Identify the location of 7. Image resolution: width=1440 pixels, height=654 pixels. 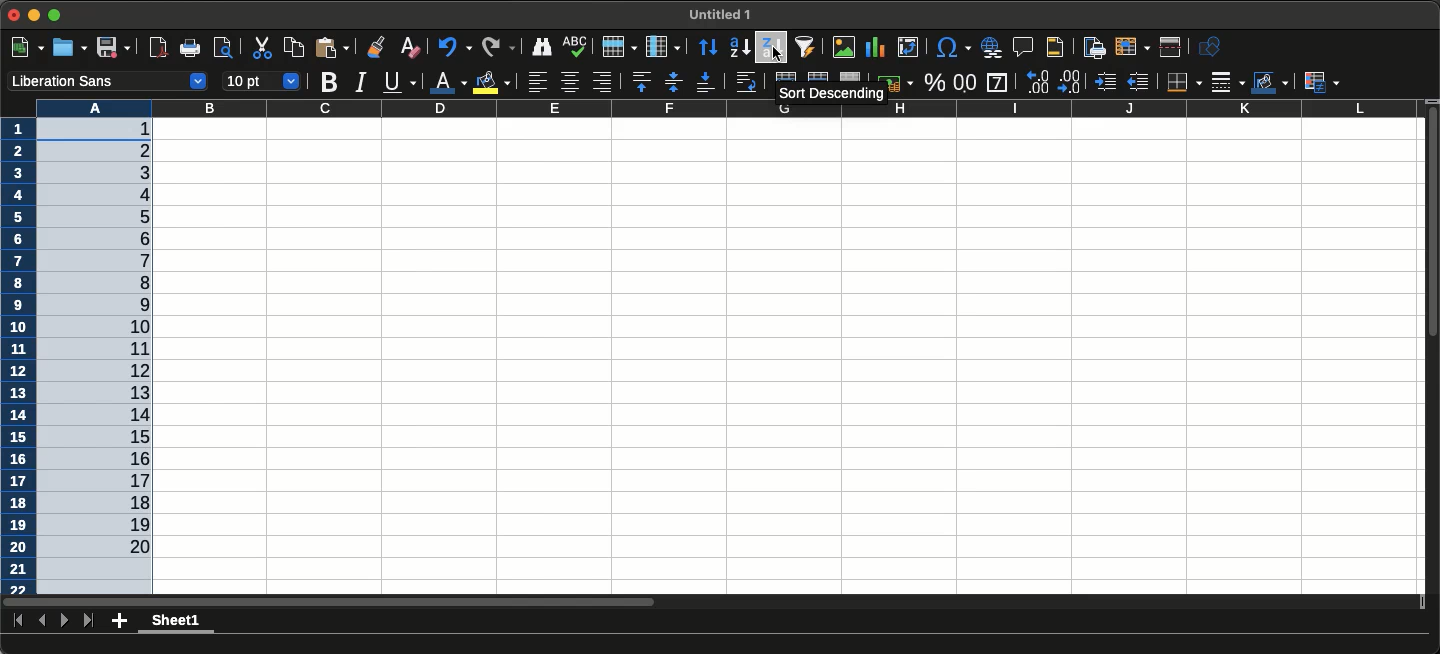
(131, 261).